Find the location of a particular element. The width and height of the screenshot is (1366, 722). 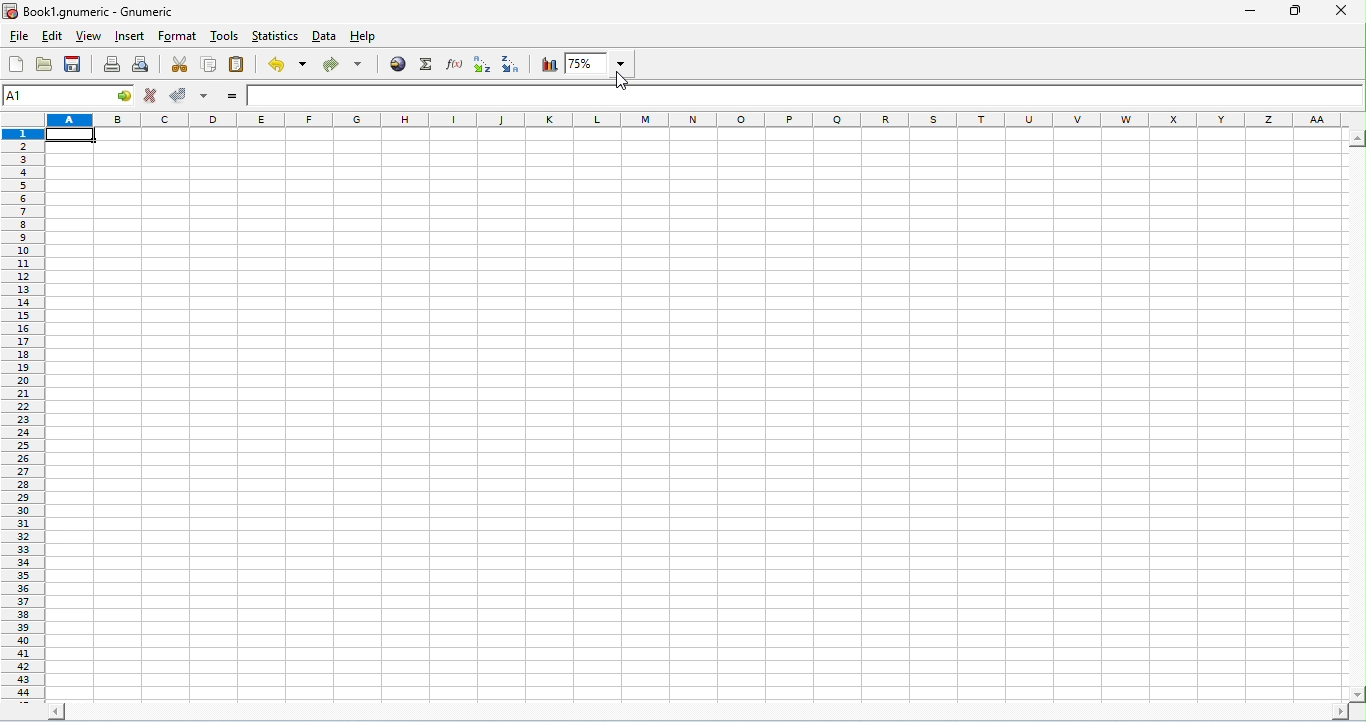

sort descending is located at coordinates (512, 64).